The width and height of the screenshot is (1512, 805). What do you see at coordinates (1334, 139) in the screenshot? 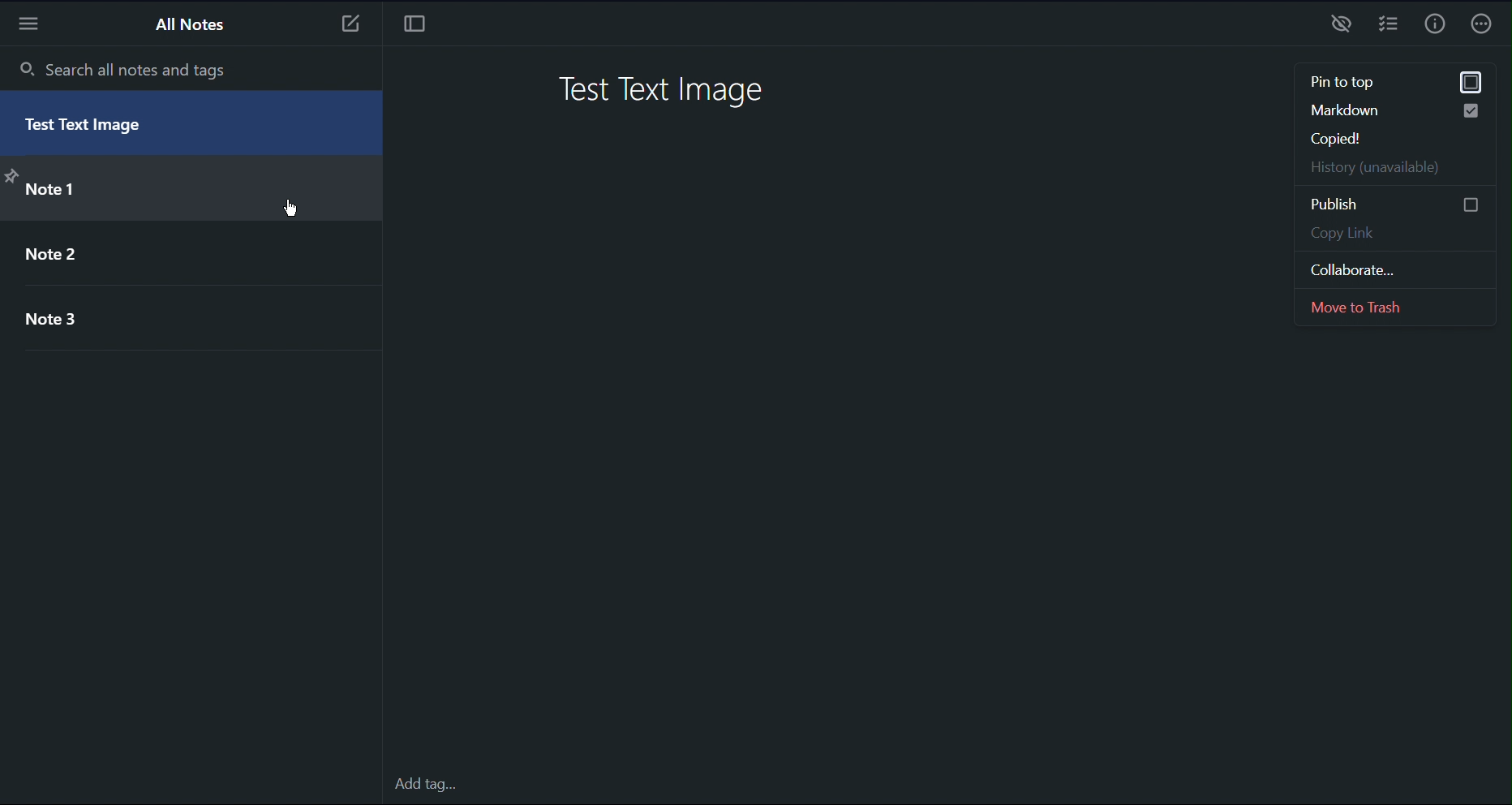
I see `Copied!` at bounding box center [1334, 139].